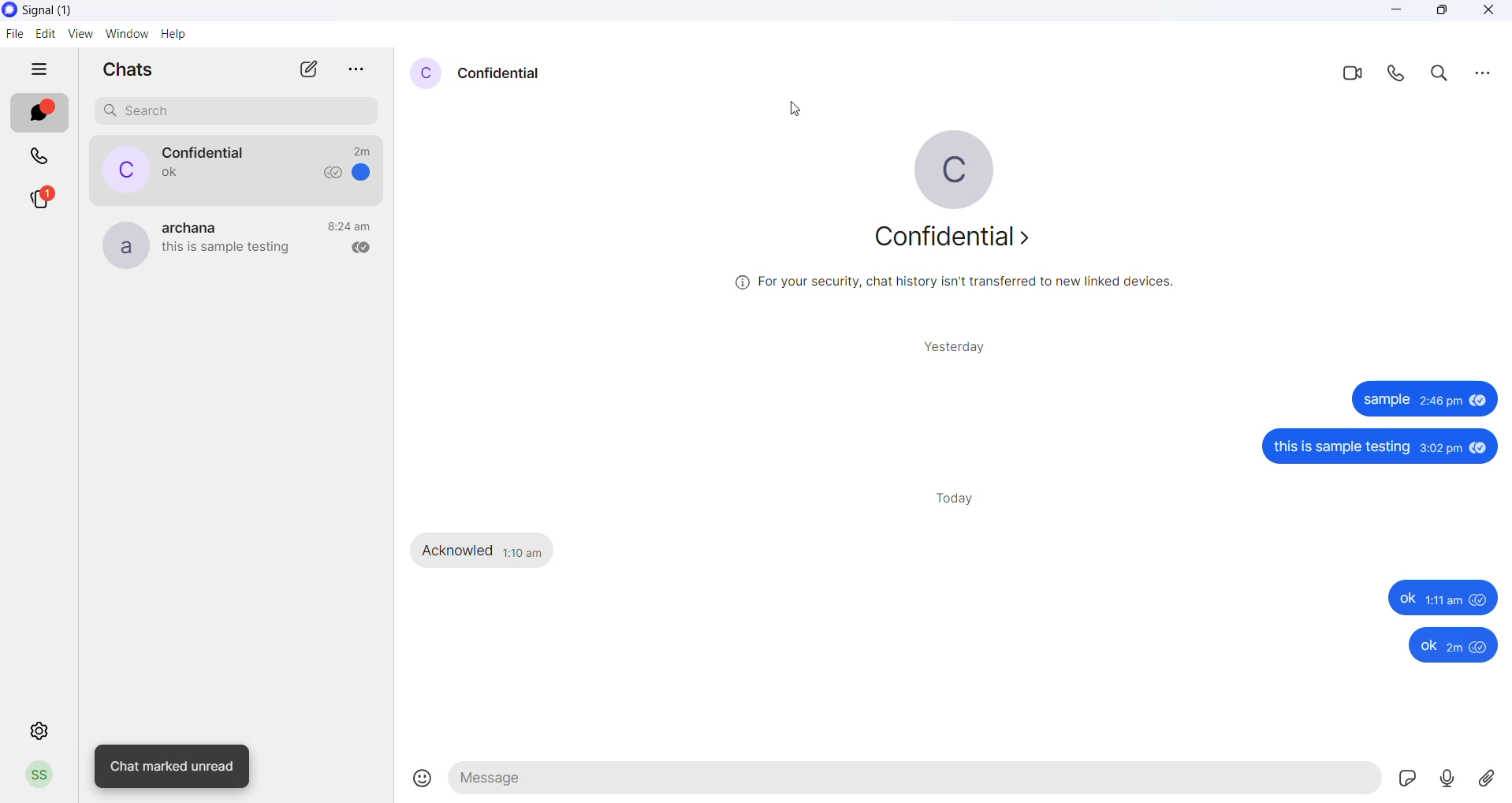  I want to click on last message, so click(226, 251).